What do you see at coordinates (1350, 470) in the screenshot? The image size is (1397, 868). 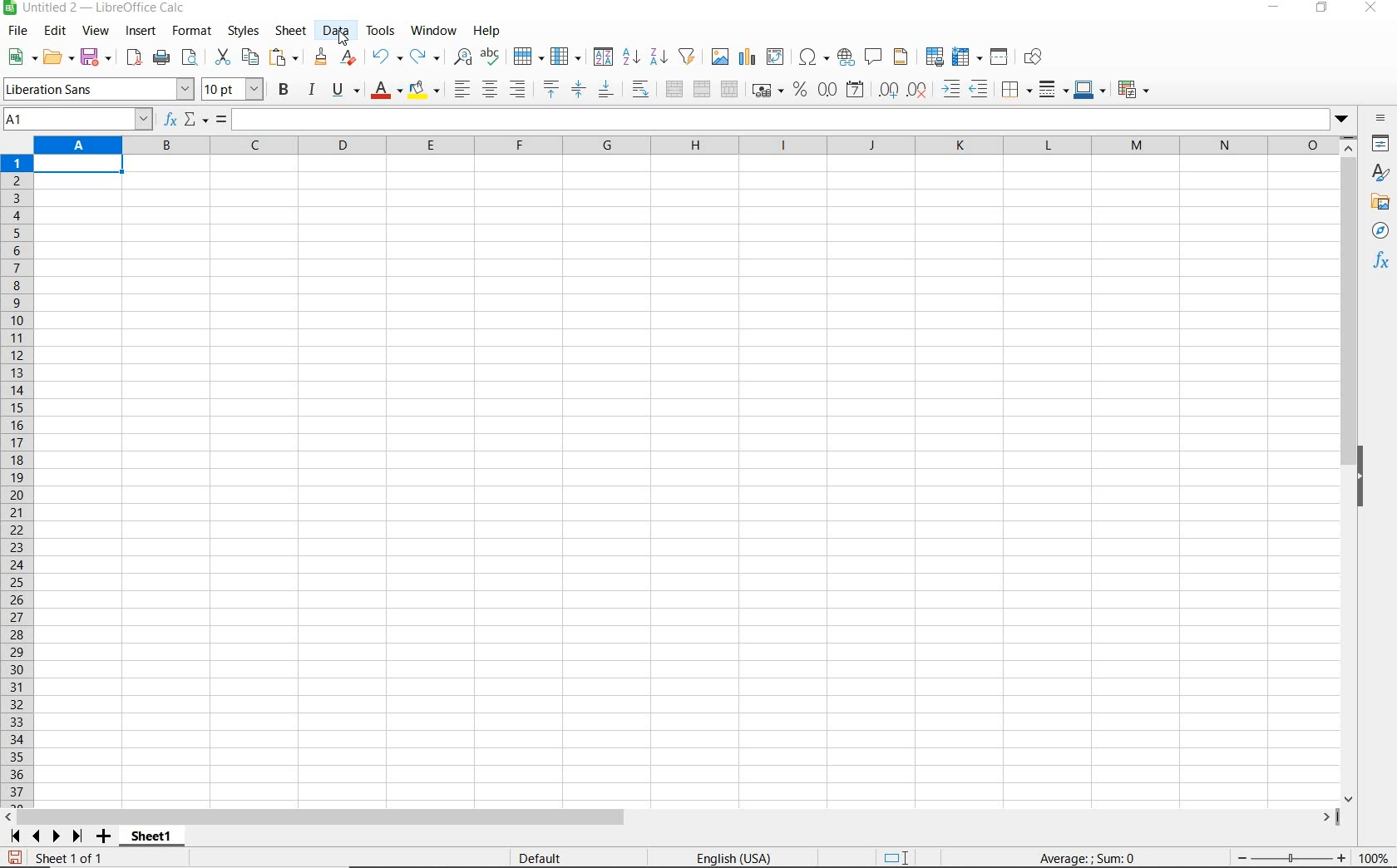 I see `scrollbar` at bounding box center [1350, 470].